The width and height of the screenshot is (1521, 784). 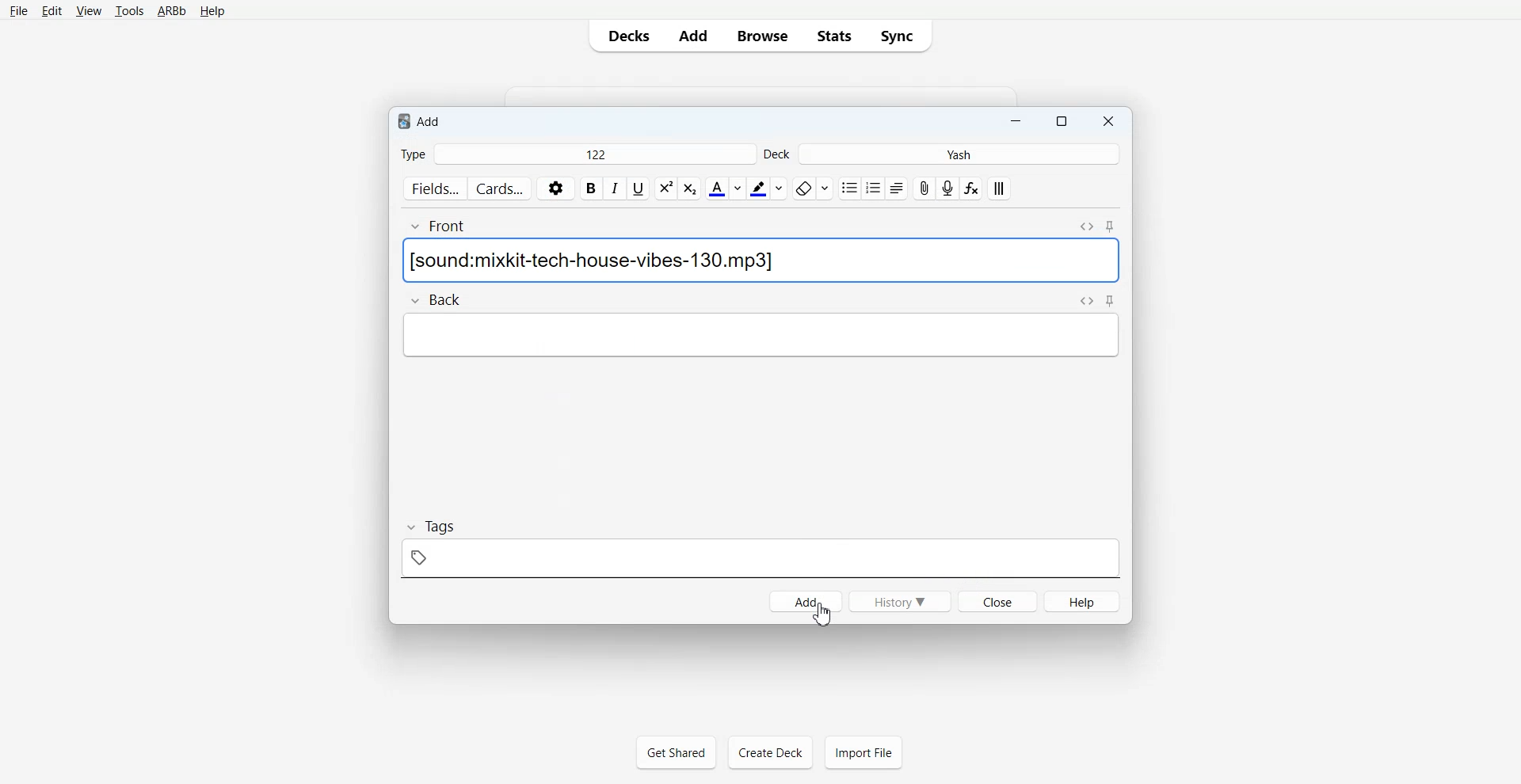 I want to click on close, so click(x=1004, y=603).